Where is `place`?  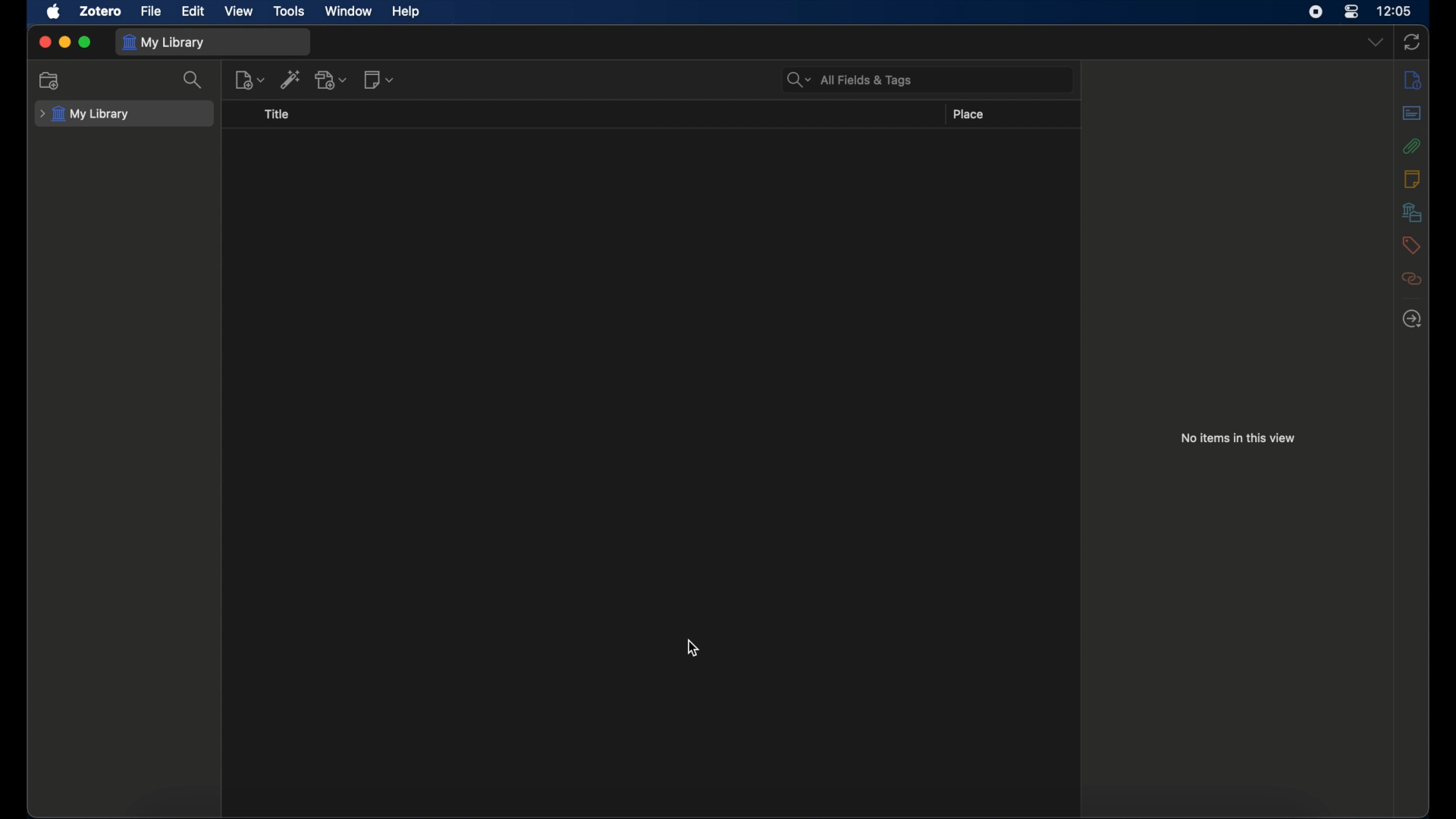 place is located at coordinates (968, 114).